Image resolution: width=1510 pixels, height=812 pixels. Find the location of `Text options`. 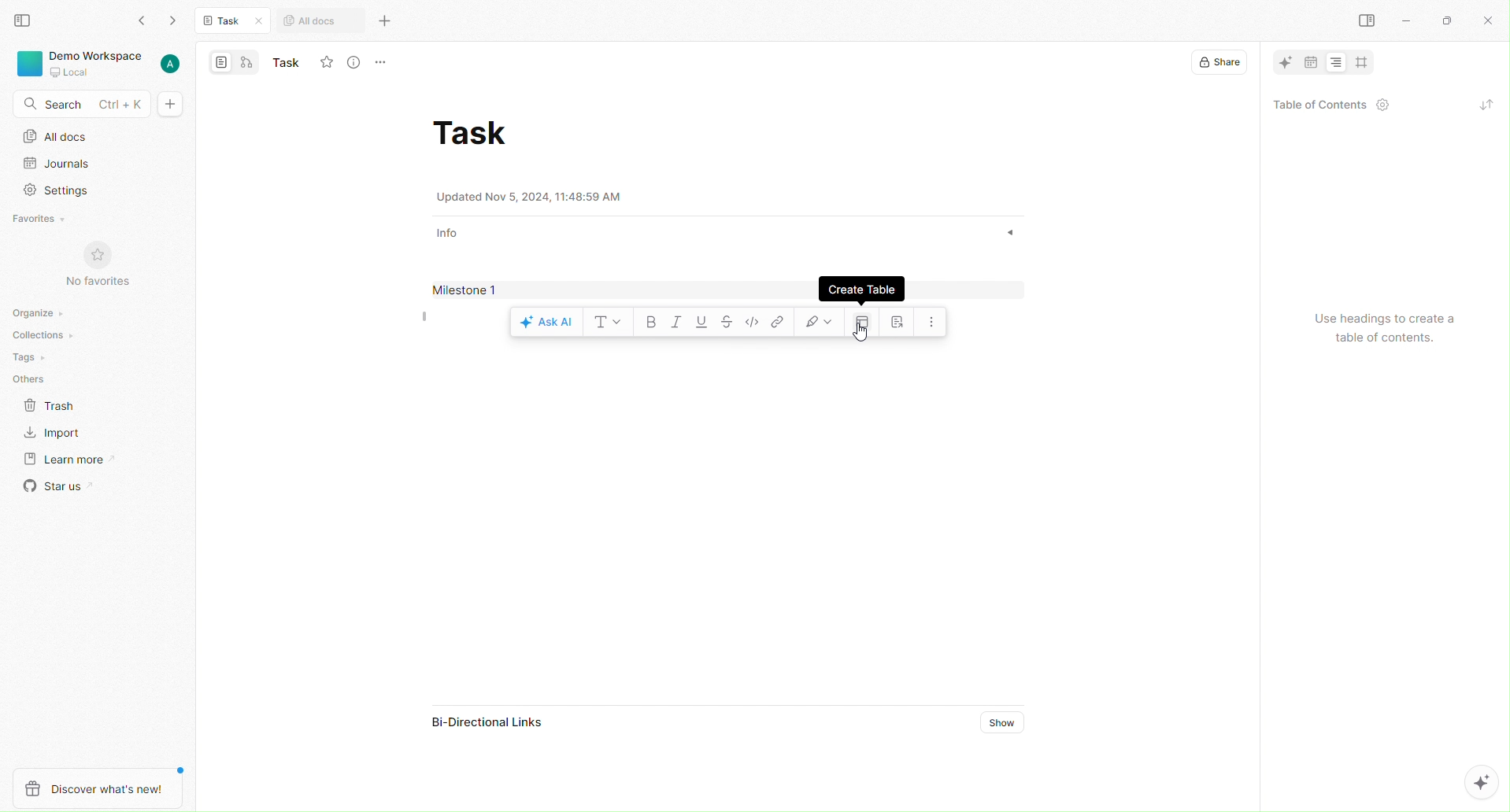

Text options is located at coordinates (606, 323).